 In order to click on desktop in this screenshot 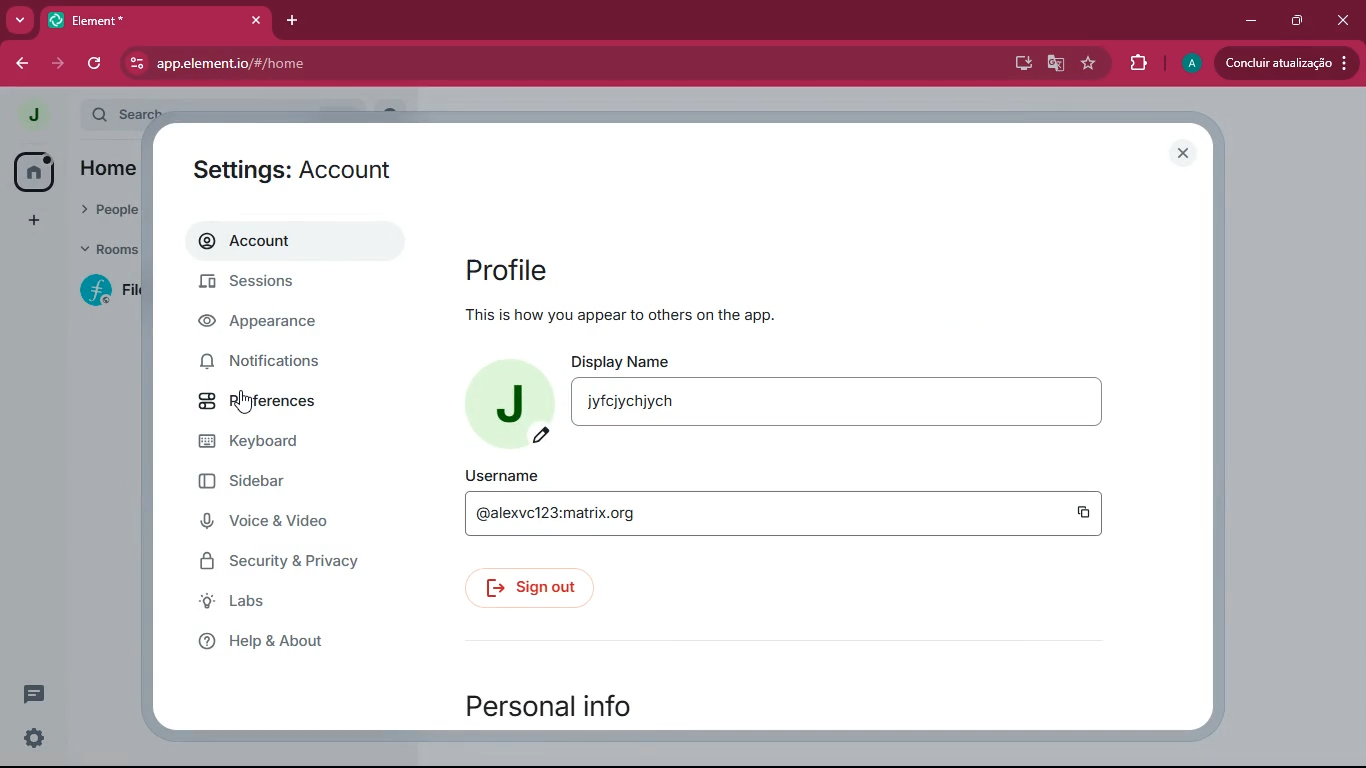, I will do `click(1018, 63)`.